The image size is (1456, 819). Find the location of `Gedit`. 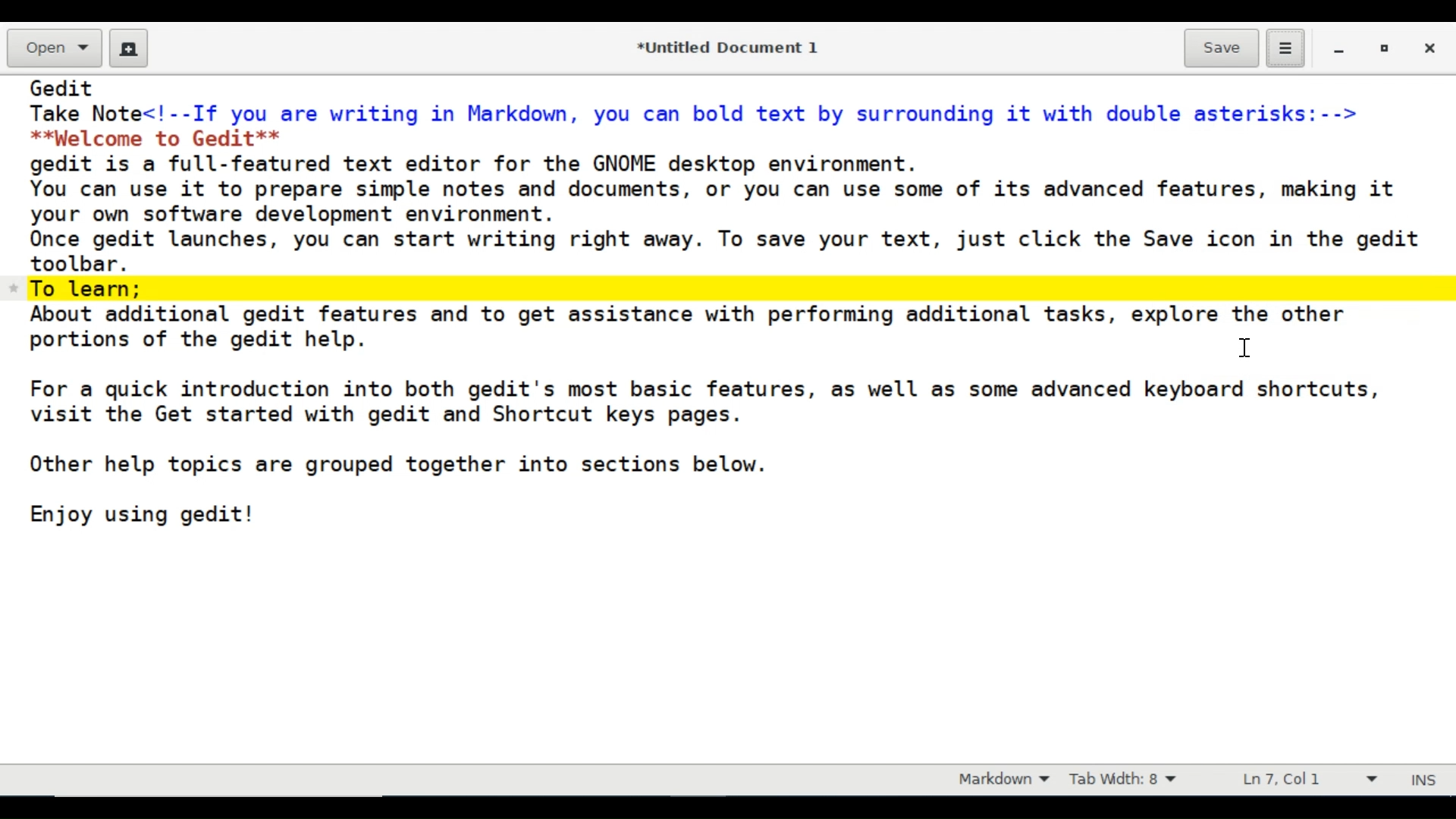

Gedit is located at coordinates (64, 87).